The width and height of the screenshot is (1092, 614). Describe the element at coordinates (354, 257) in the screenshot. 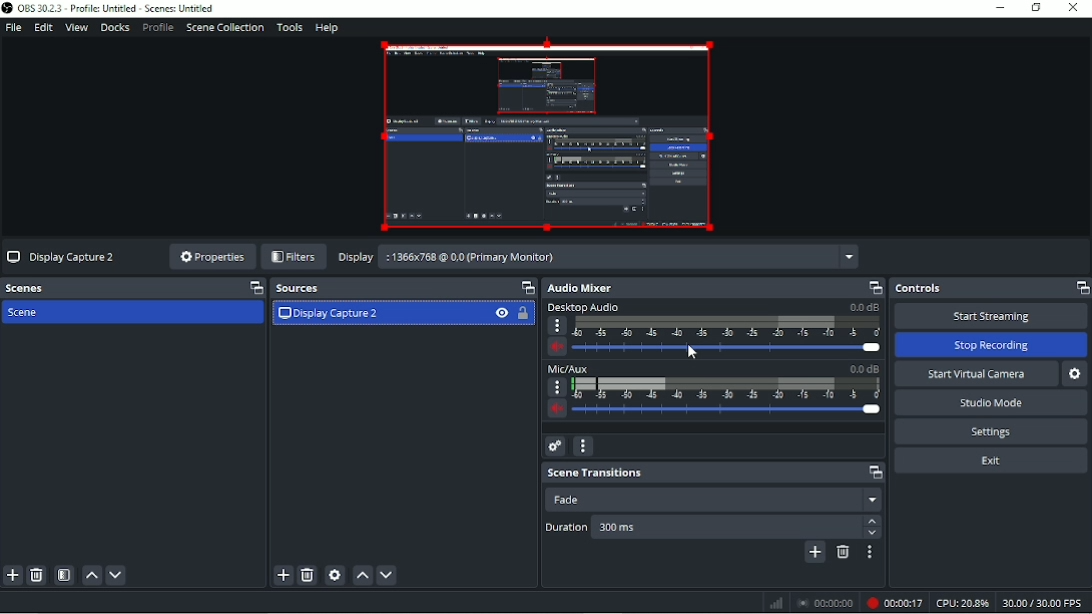

I see `Display` at that location.